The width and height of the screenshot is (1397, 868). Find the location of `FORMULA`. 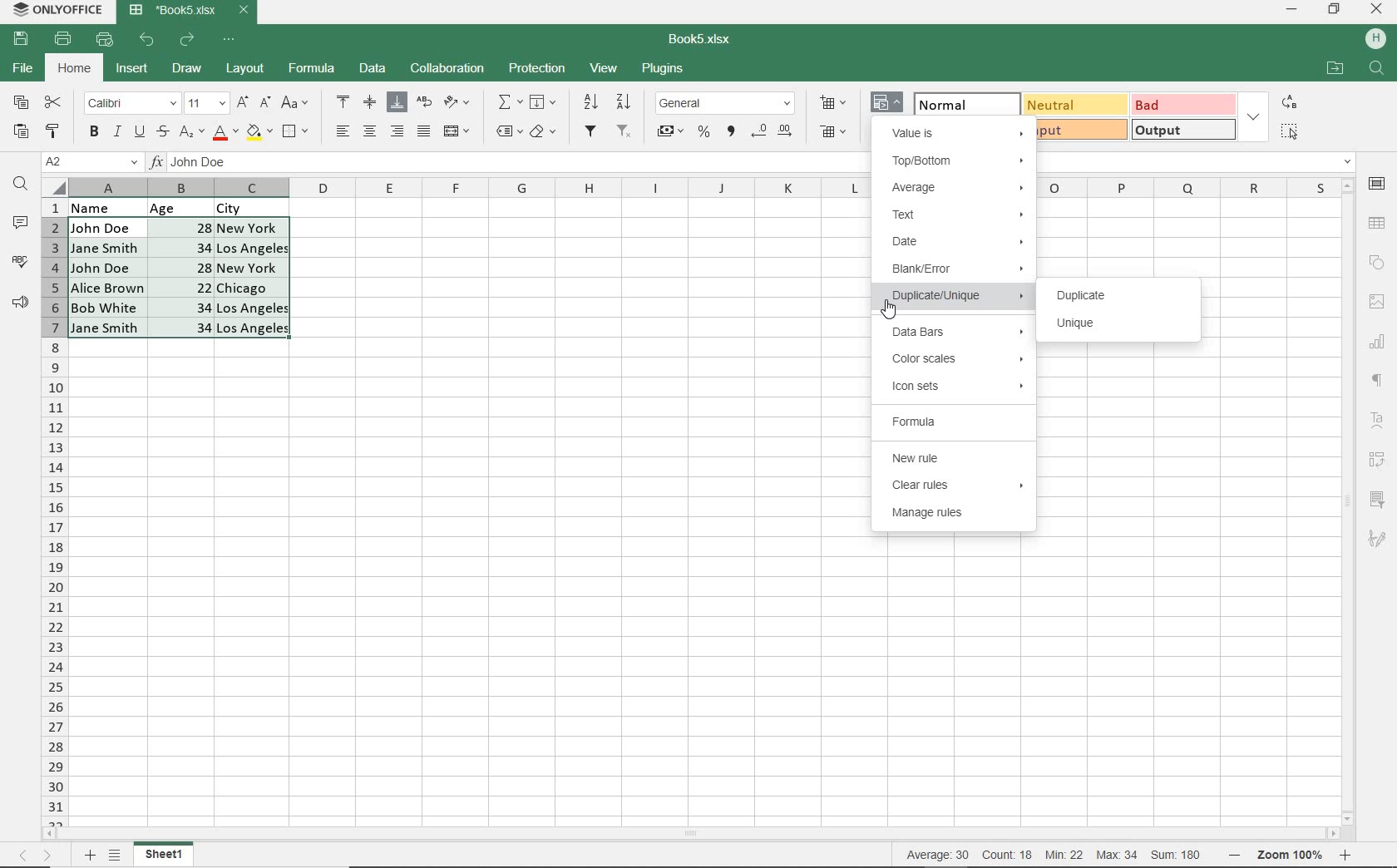

FORMULA is located at coordinates (950, 422).